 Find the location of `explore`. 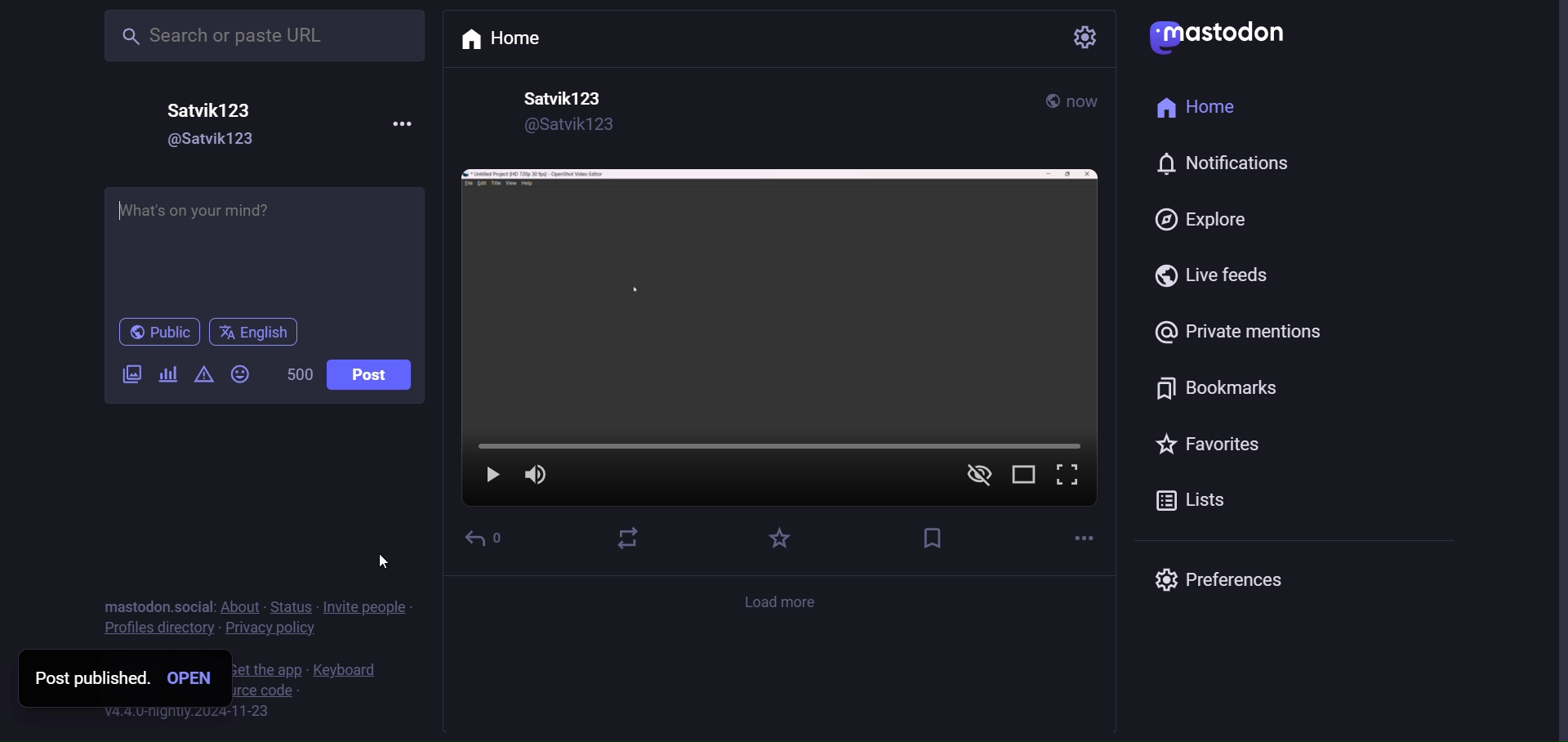

explore is located at coordinates (1196, 221).